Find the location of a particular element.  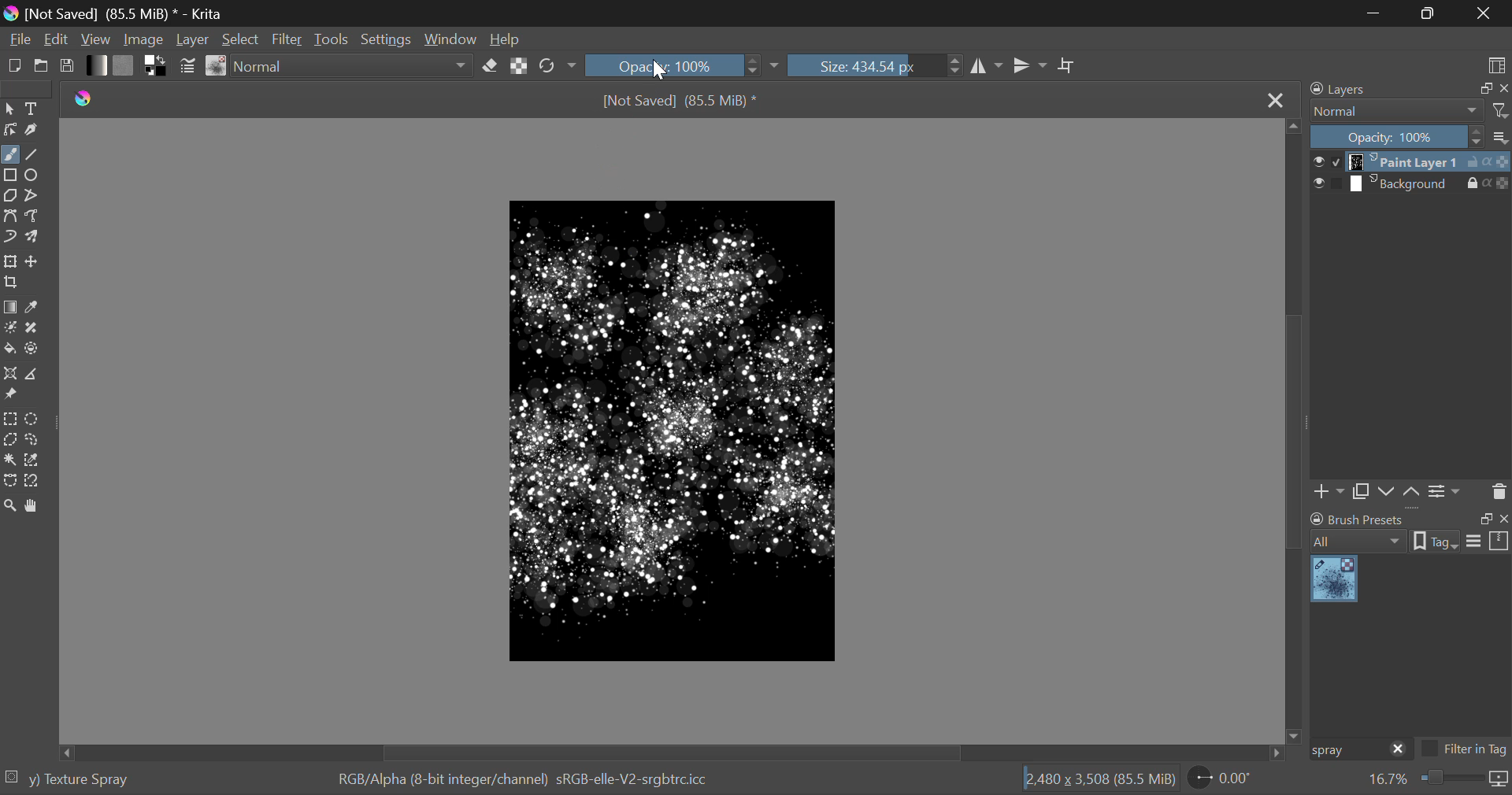

Polygon is located at coordinates (11, 197).